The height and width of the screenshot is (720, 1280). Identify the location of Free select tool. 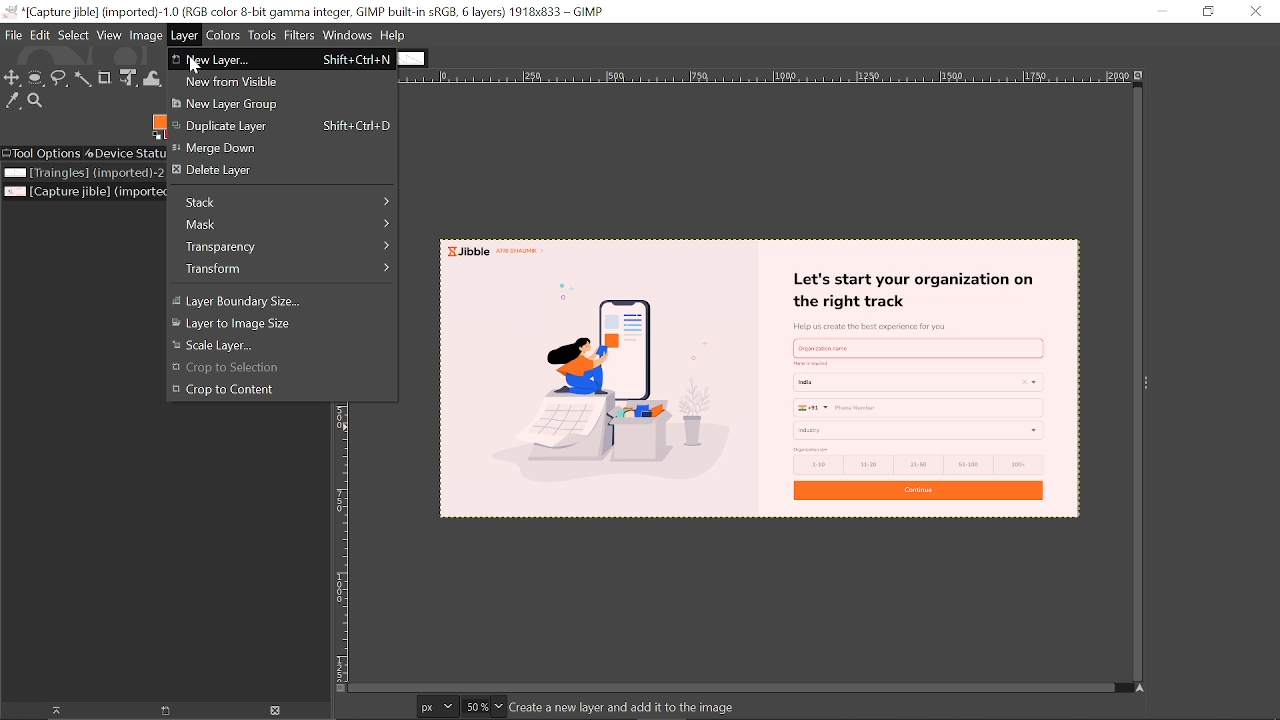
(59, 78).